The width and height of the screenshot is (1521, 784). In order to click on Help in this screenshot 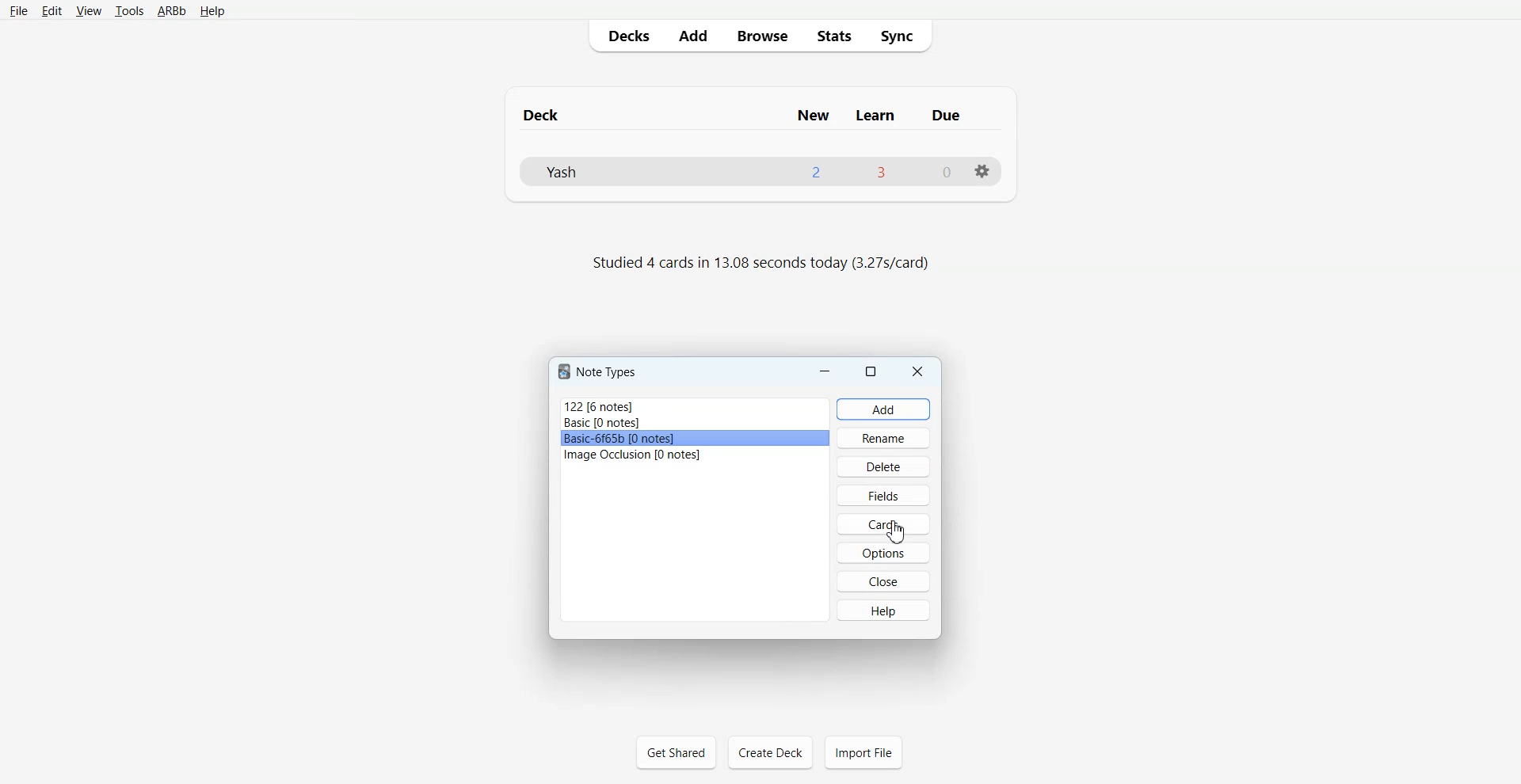, I will do `click(882, 609)`.